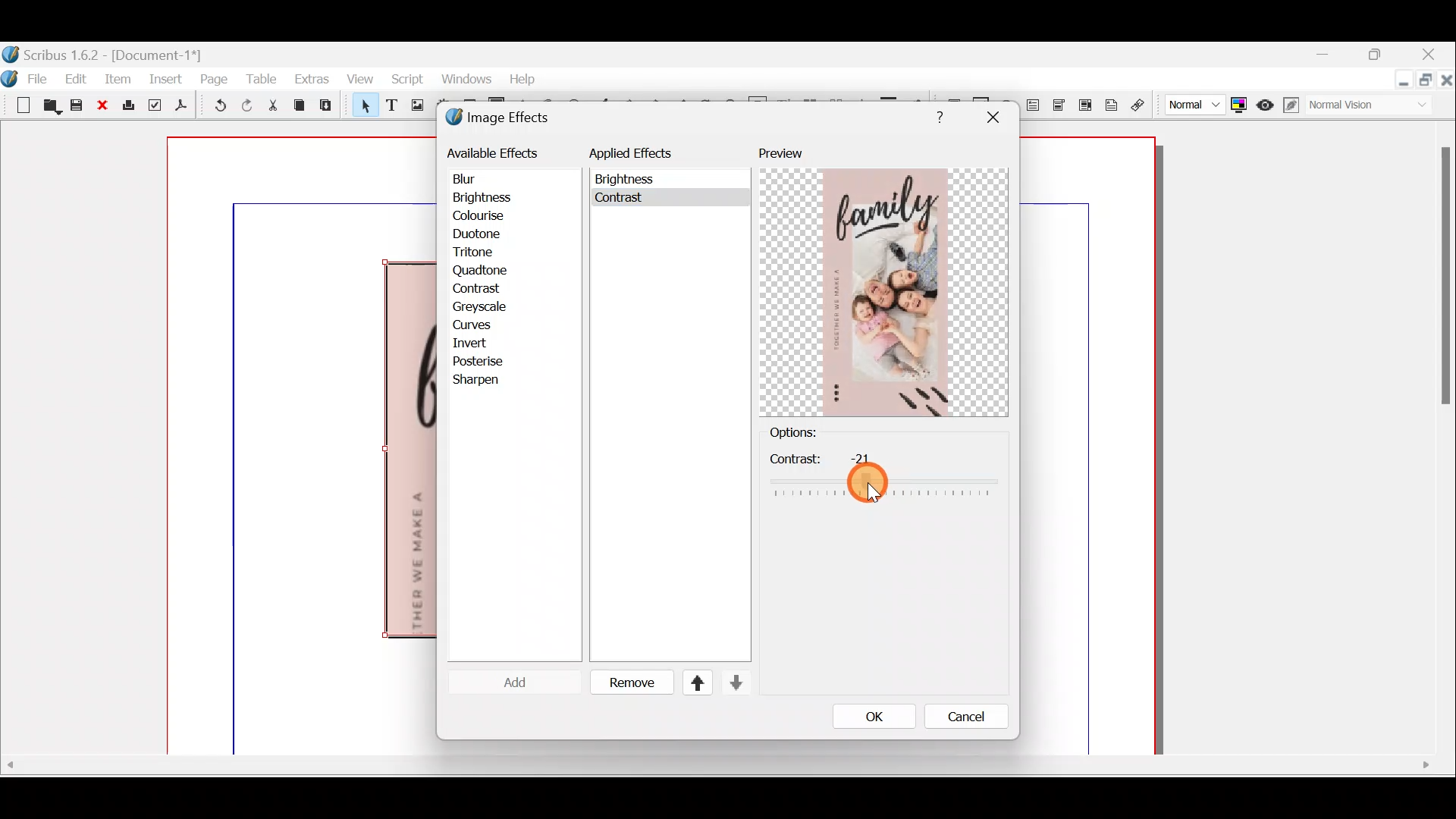  What do you see at coordinates (11, 76) in the screenshot?
I see `Logo` at bounding box center [11, 76].